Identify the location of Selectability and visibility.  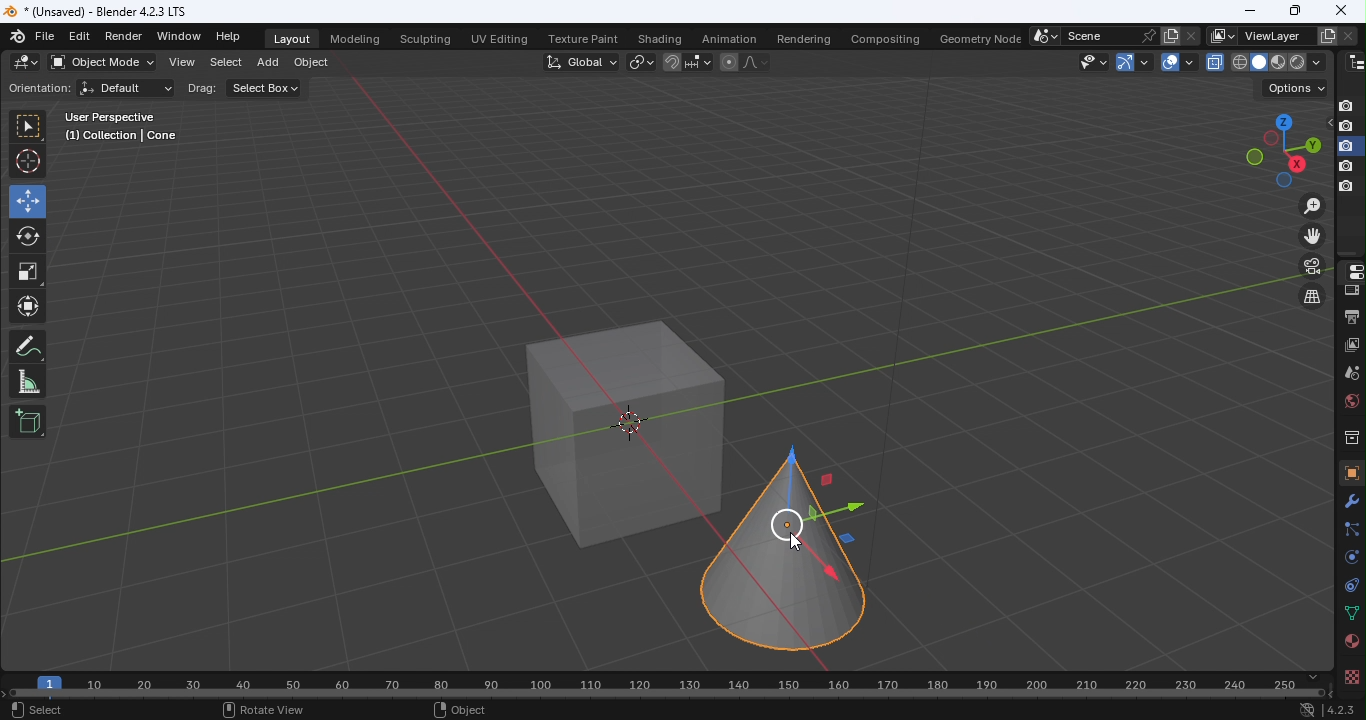
(1095, 61).